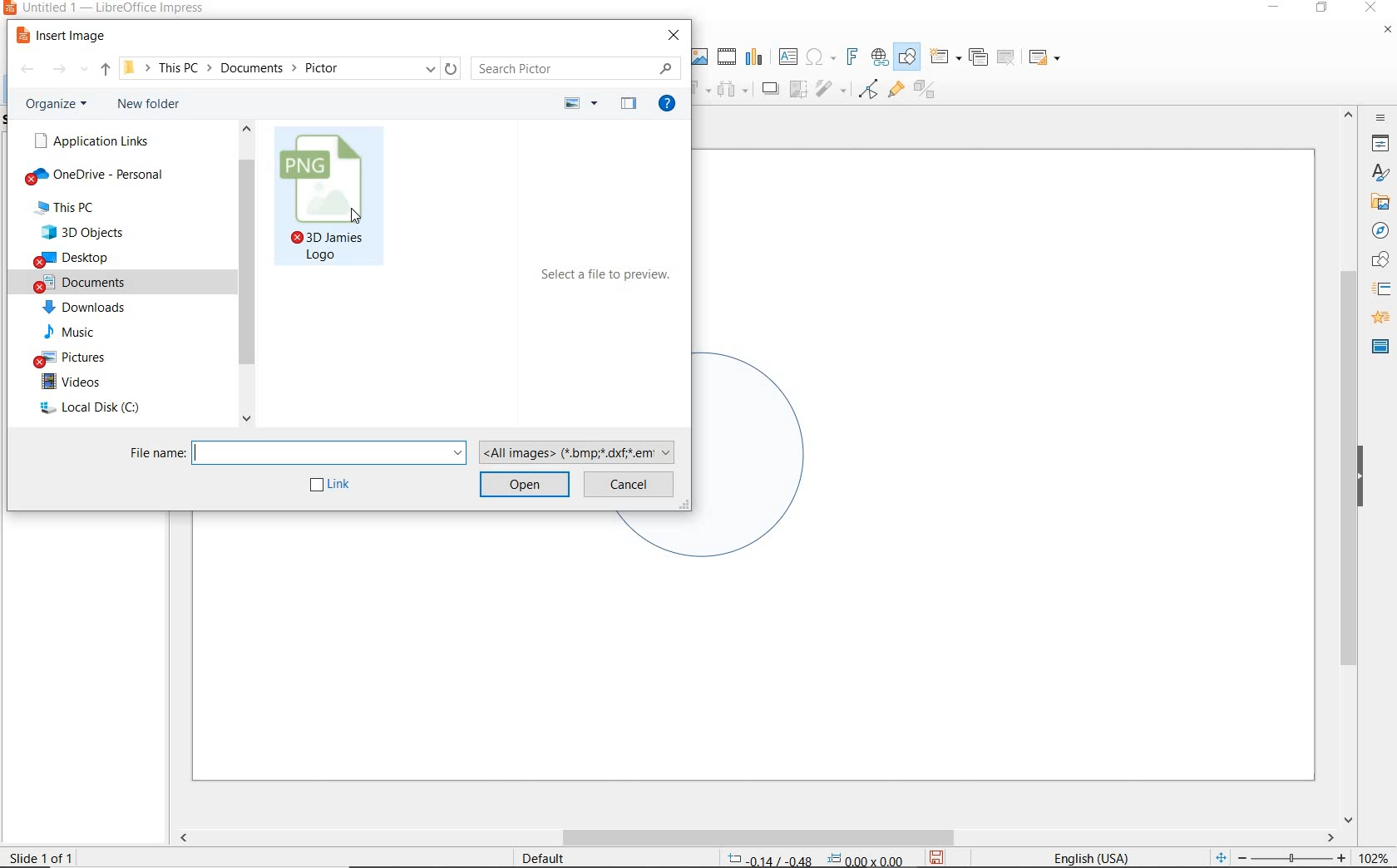 This screenshot has width=1397, height=868. Describe the element at coordinates (101, 177) in the screenshot. I see `OneDrive - Personal` at that location.